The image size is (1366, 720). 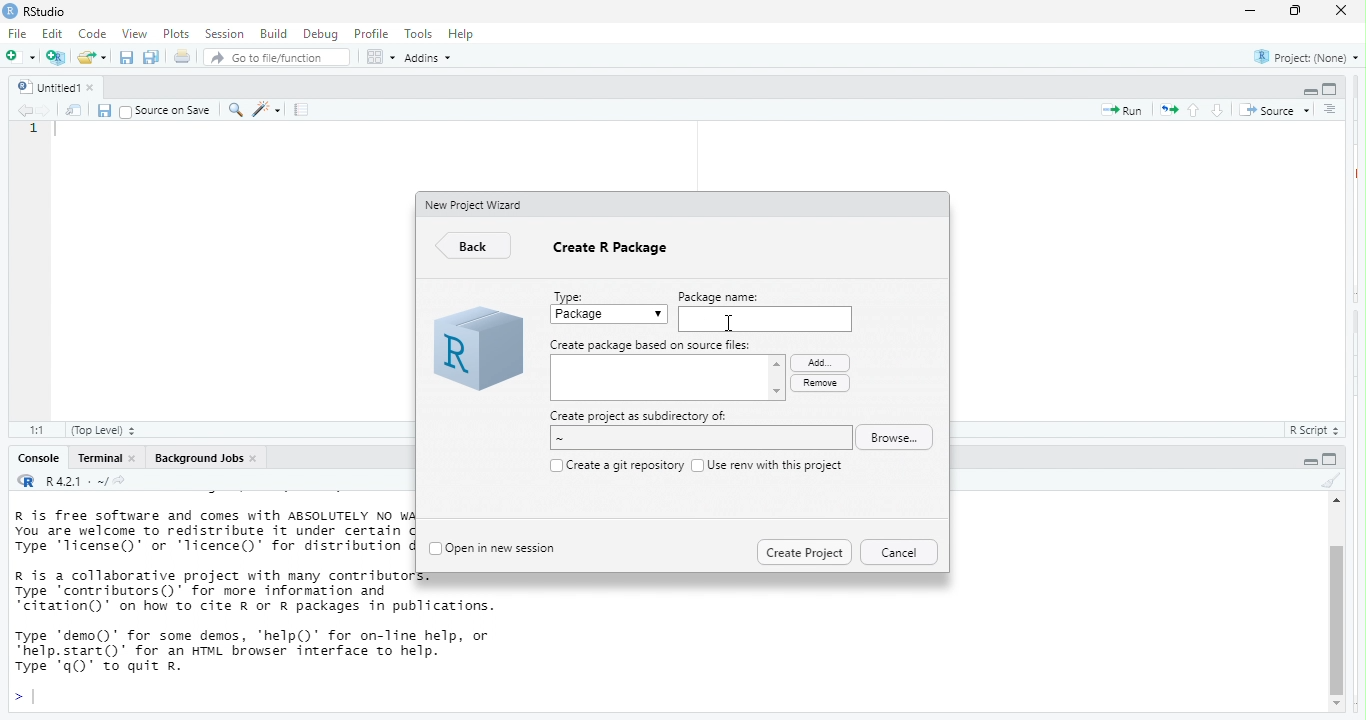 I want to click on hide r script, so click(x=1307, y=91).